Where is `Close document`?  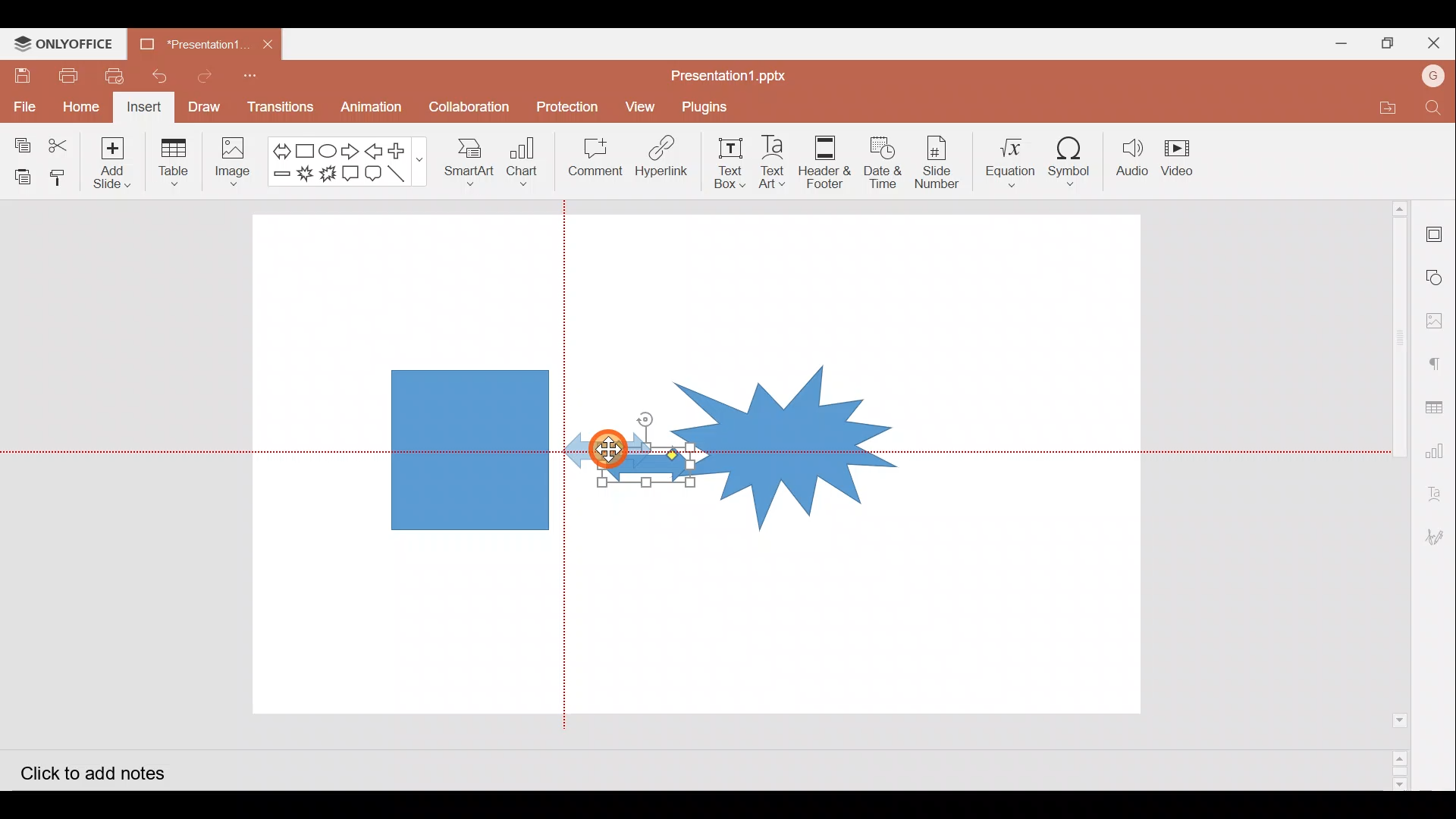 Close document is located at coordinates (272, 46).